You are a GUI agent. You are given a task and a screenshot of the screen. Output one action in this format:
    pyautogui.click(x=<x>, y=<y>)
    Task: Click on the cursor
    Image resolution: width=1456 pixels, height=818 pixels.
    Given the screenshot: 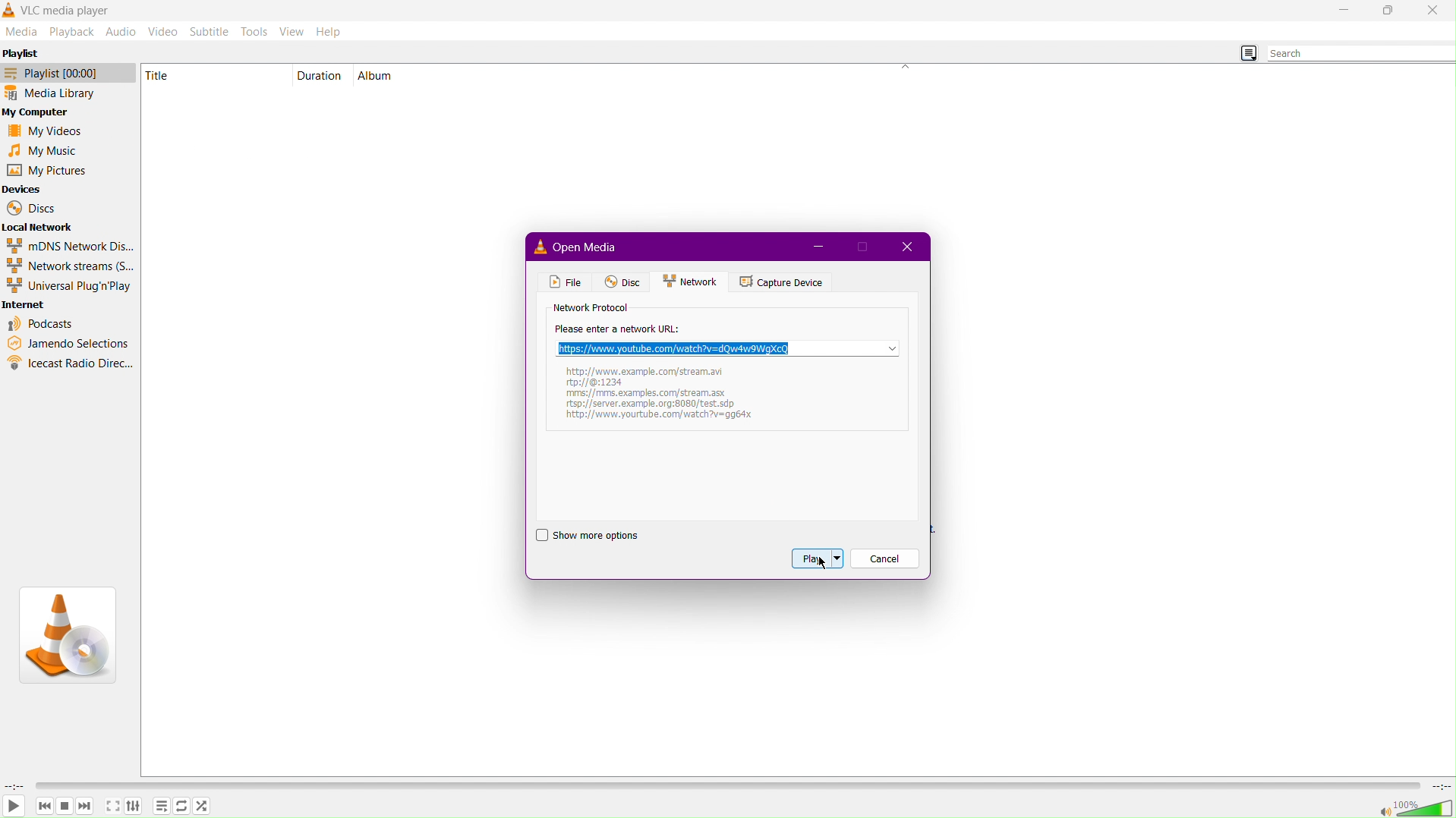 What is the action you would take?
    pyautogui.click(x=824, y=565)
    